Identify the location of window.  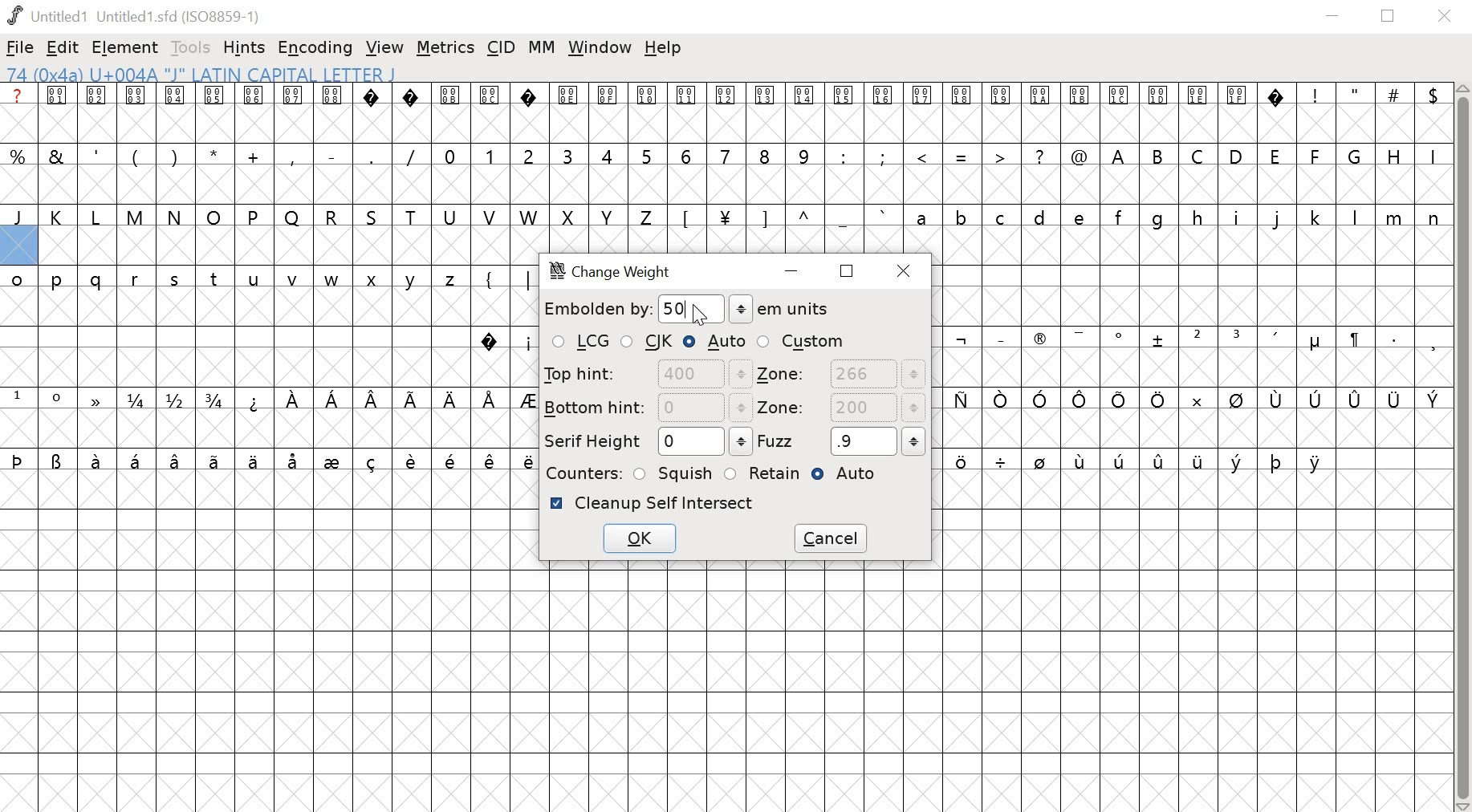
(600, 48).